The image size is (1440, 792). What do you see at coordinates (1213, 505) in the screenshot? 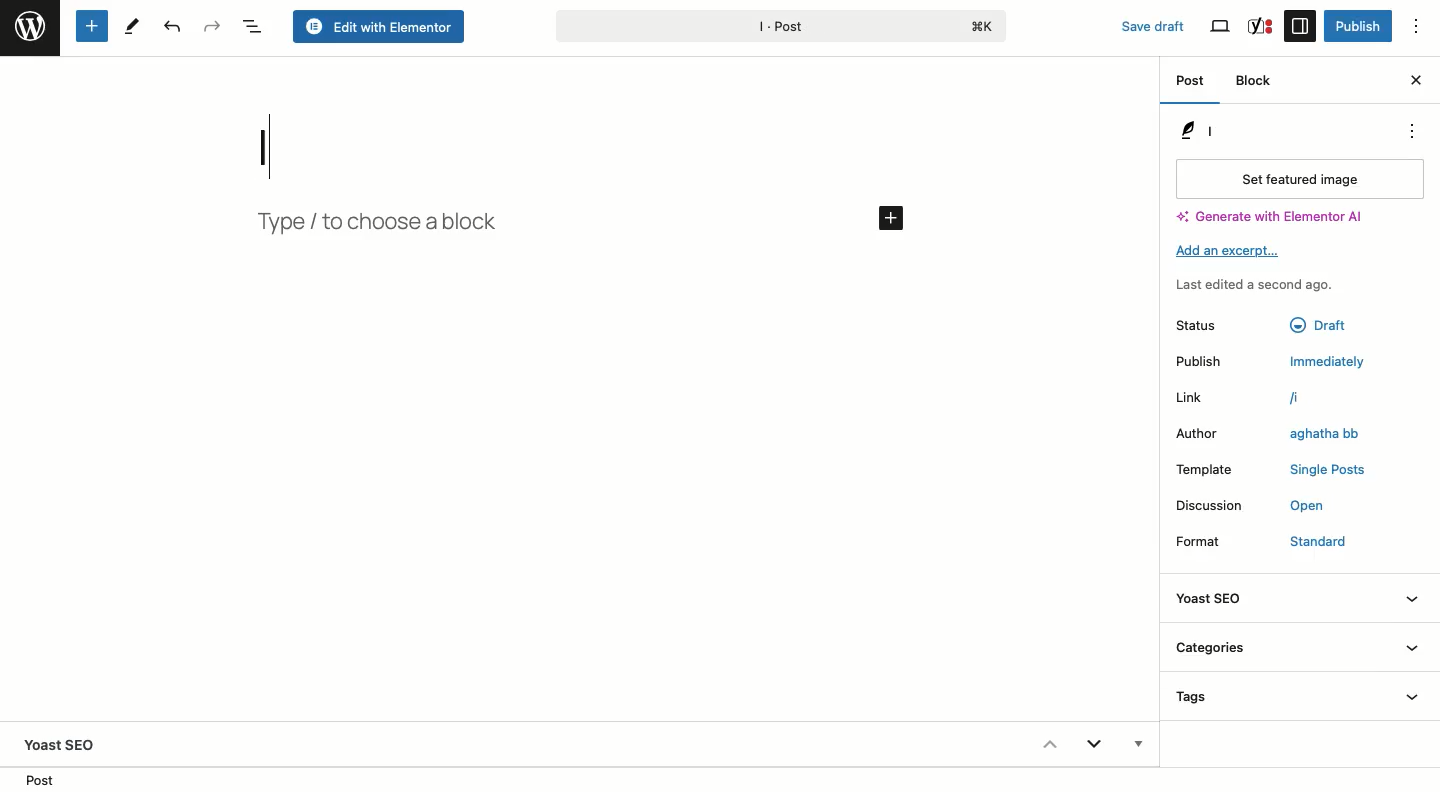
I see `Discussion` at bounding box center [1213, 505].